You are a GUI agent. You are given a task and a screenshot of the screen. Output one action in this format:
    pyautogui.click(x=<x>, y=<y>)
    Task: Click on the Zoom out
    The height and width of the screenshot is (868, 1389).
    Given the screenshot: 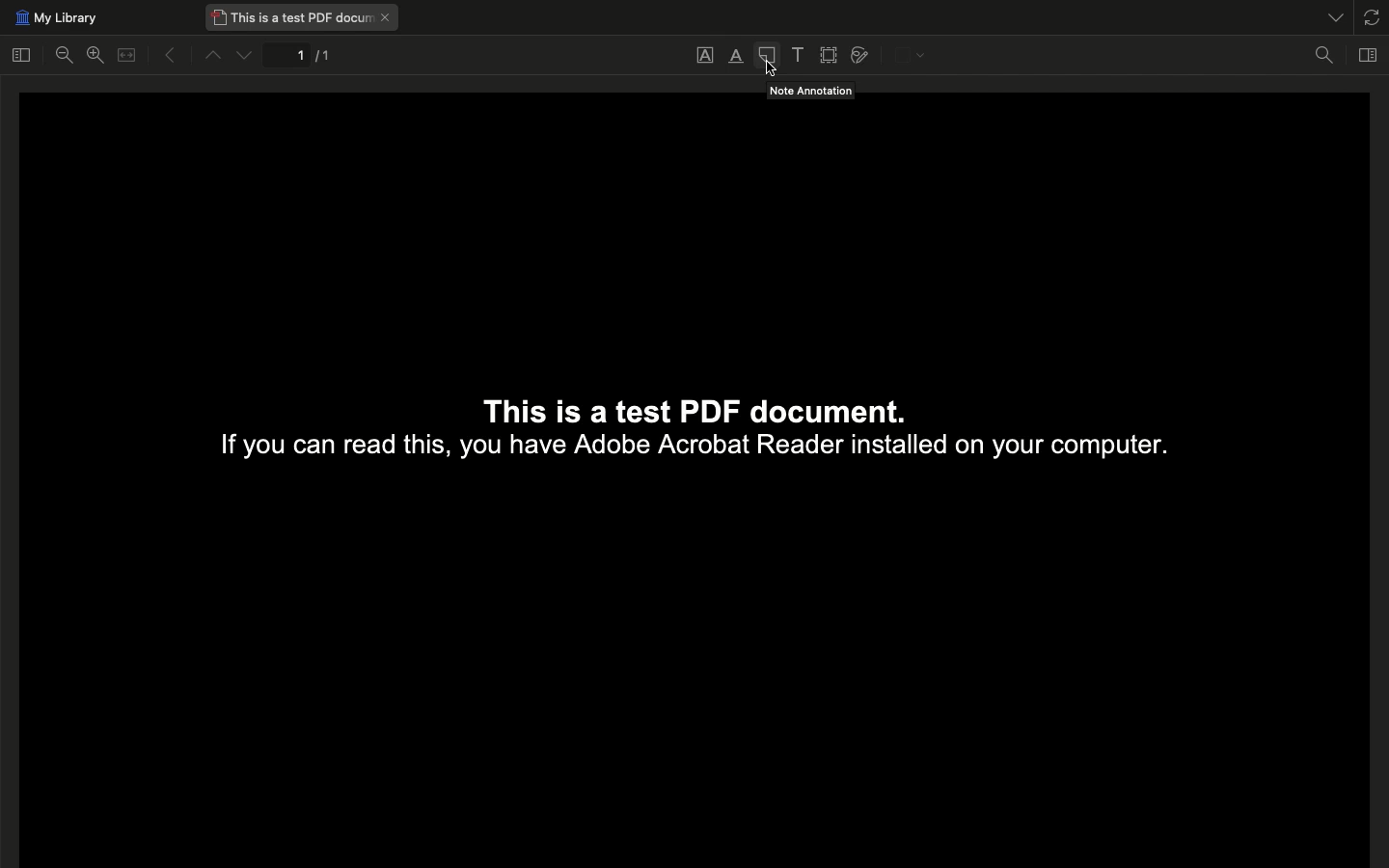 What is the action you would take?
    pyautogui.click(x=68, y=58)
    